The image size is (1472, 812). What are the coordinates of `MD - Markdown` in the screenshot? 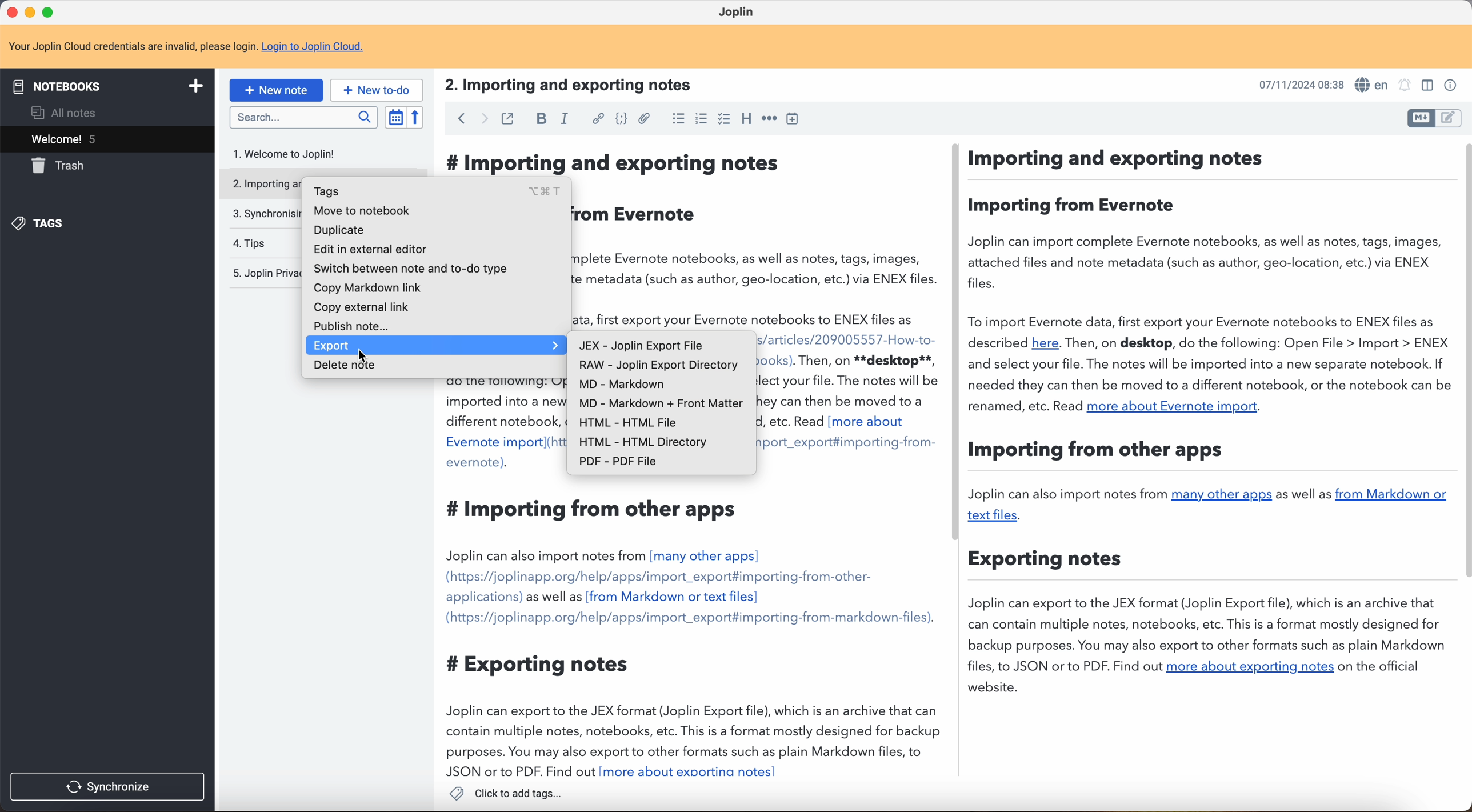 It's located at (621, 386).